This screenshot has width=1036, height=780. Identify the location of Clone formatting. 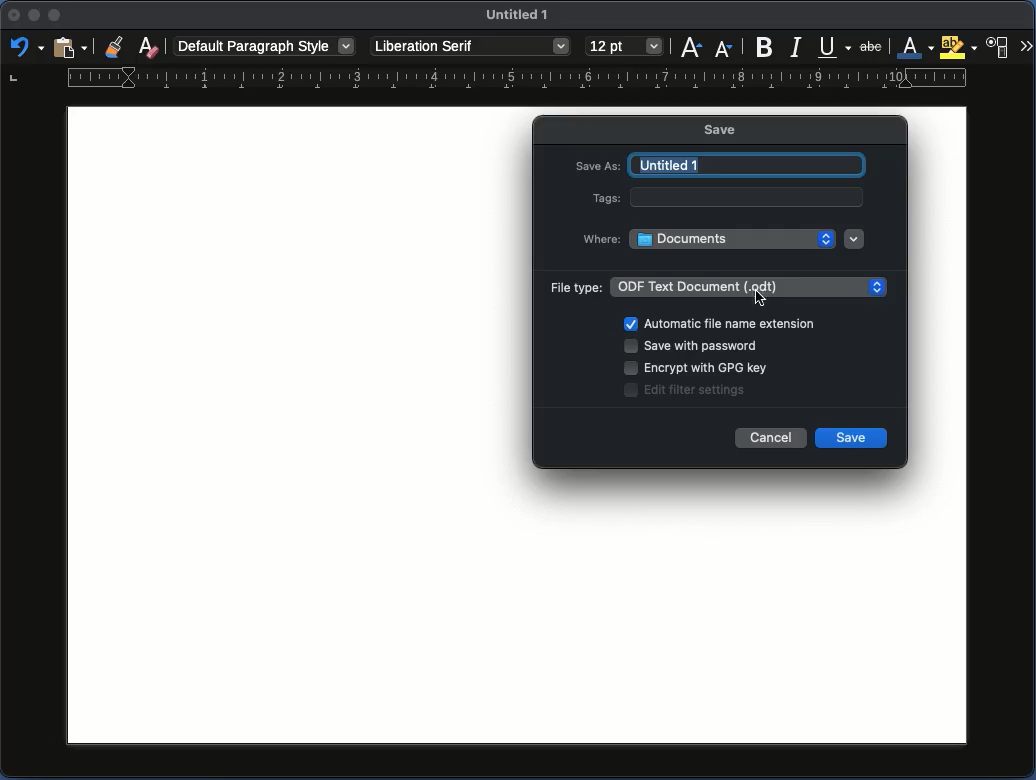
(117, 47).